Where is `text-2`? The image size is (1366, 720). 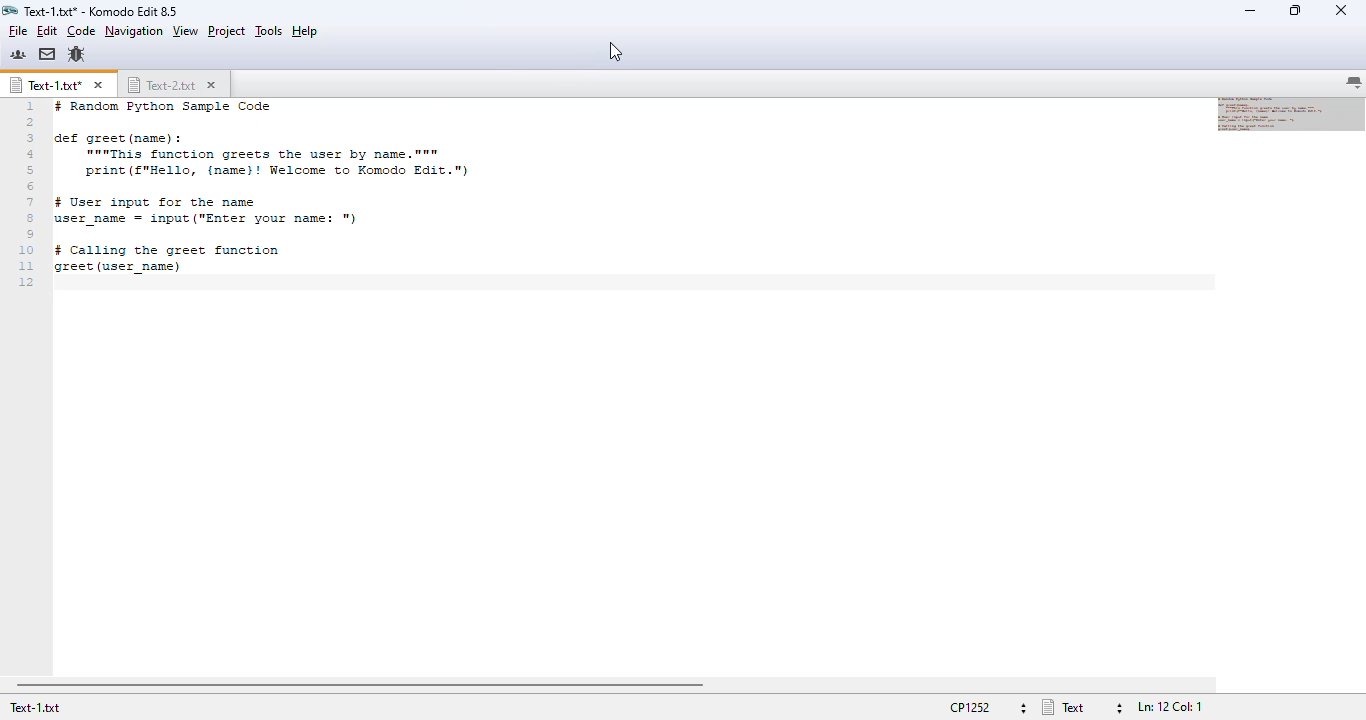
text-2 is located at coordinates (162, 85).